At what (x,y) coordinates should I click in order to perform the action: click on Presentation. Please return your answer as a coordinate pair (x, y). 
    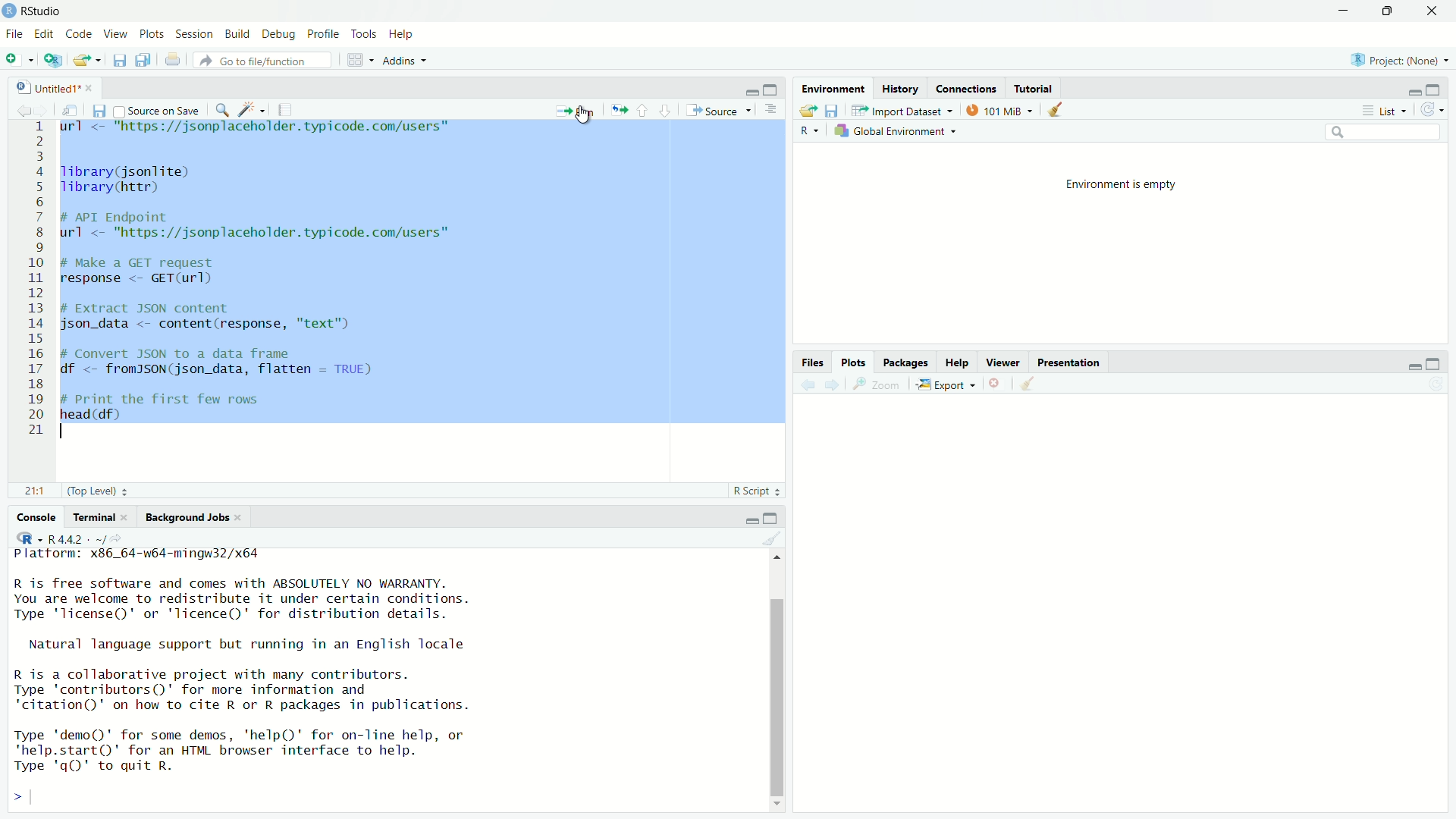
    Looking at the image, I should click on (1071, 363).